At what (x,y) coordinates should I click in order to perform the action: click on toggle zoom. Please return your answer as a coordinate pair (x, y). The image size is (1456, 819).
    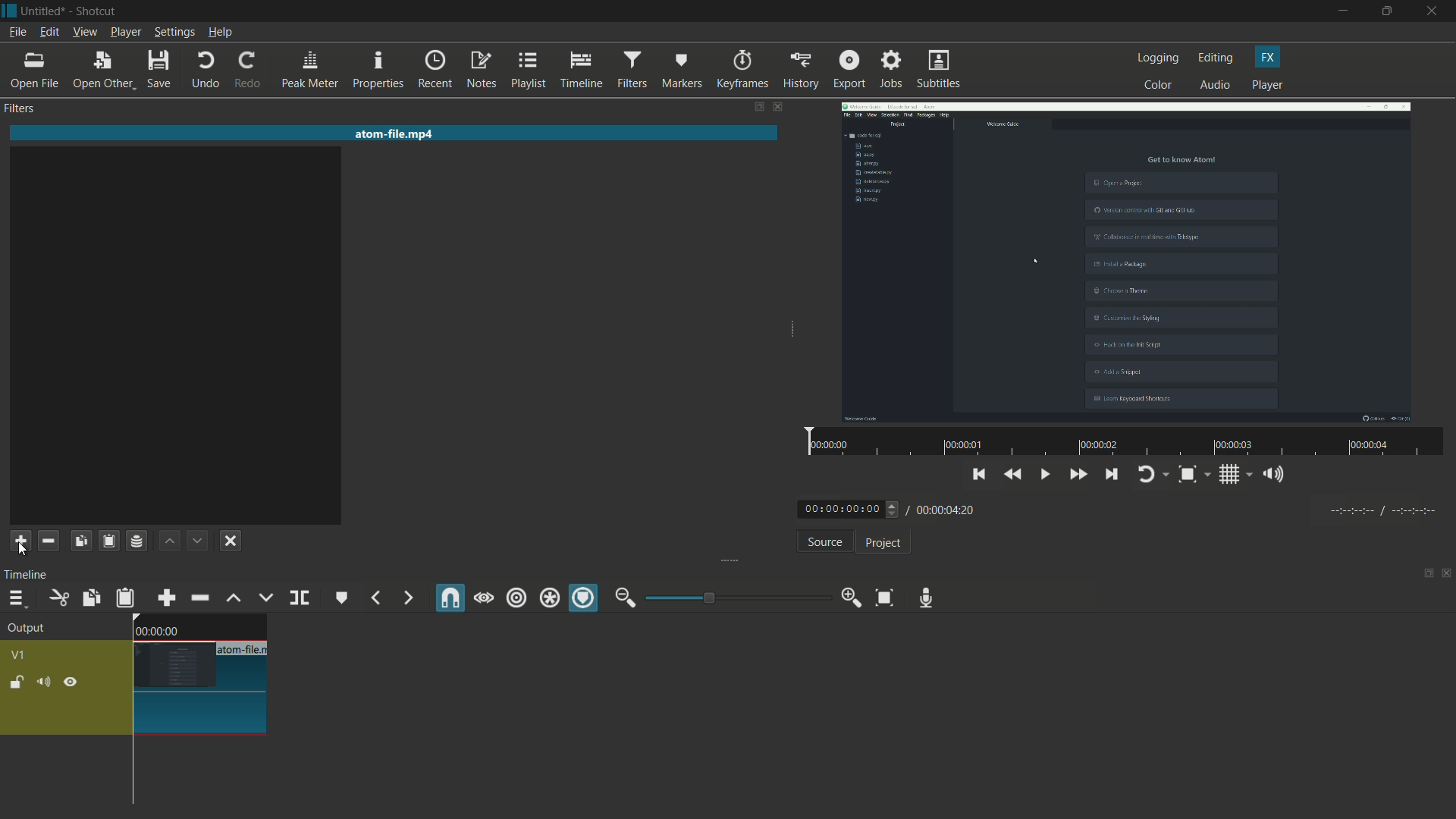
    Looking at the image, I should click on (1193, 475).